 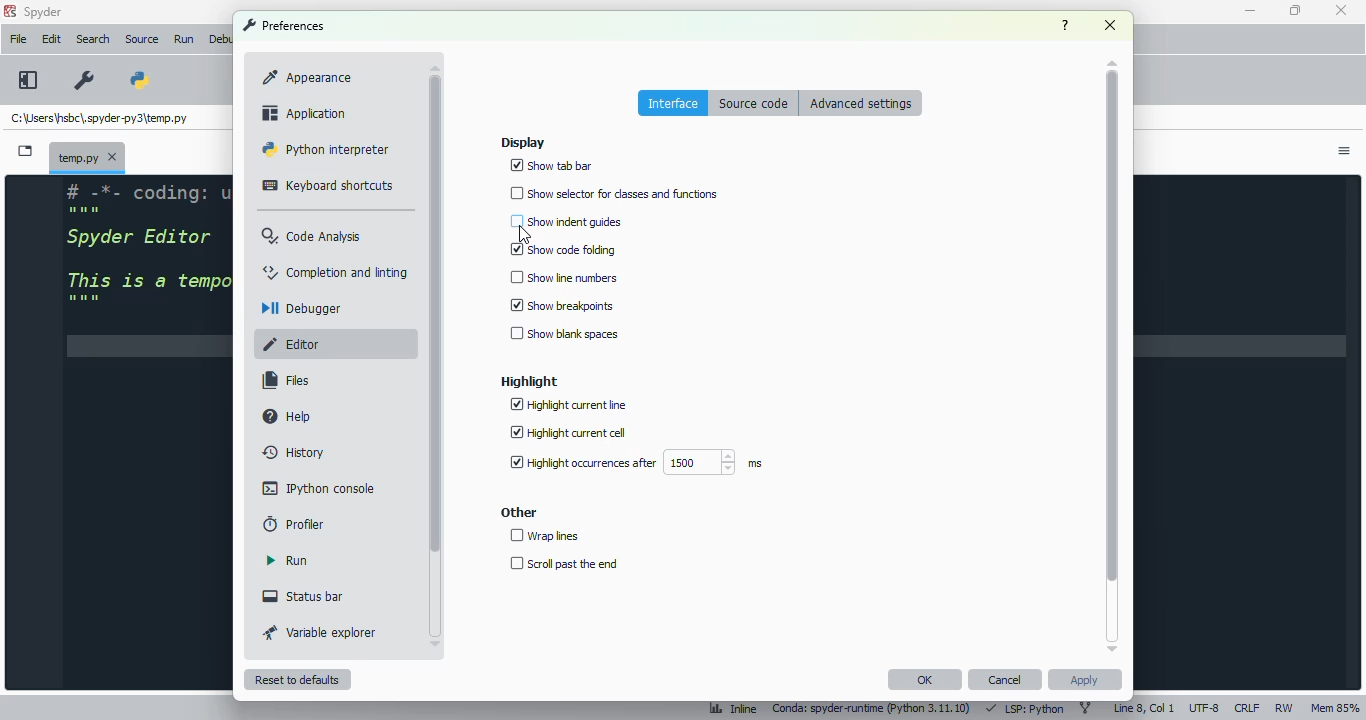 I want to click on highlight current cell, so click(x=569, y=431).